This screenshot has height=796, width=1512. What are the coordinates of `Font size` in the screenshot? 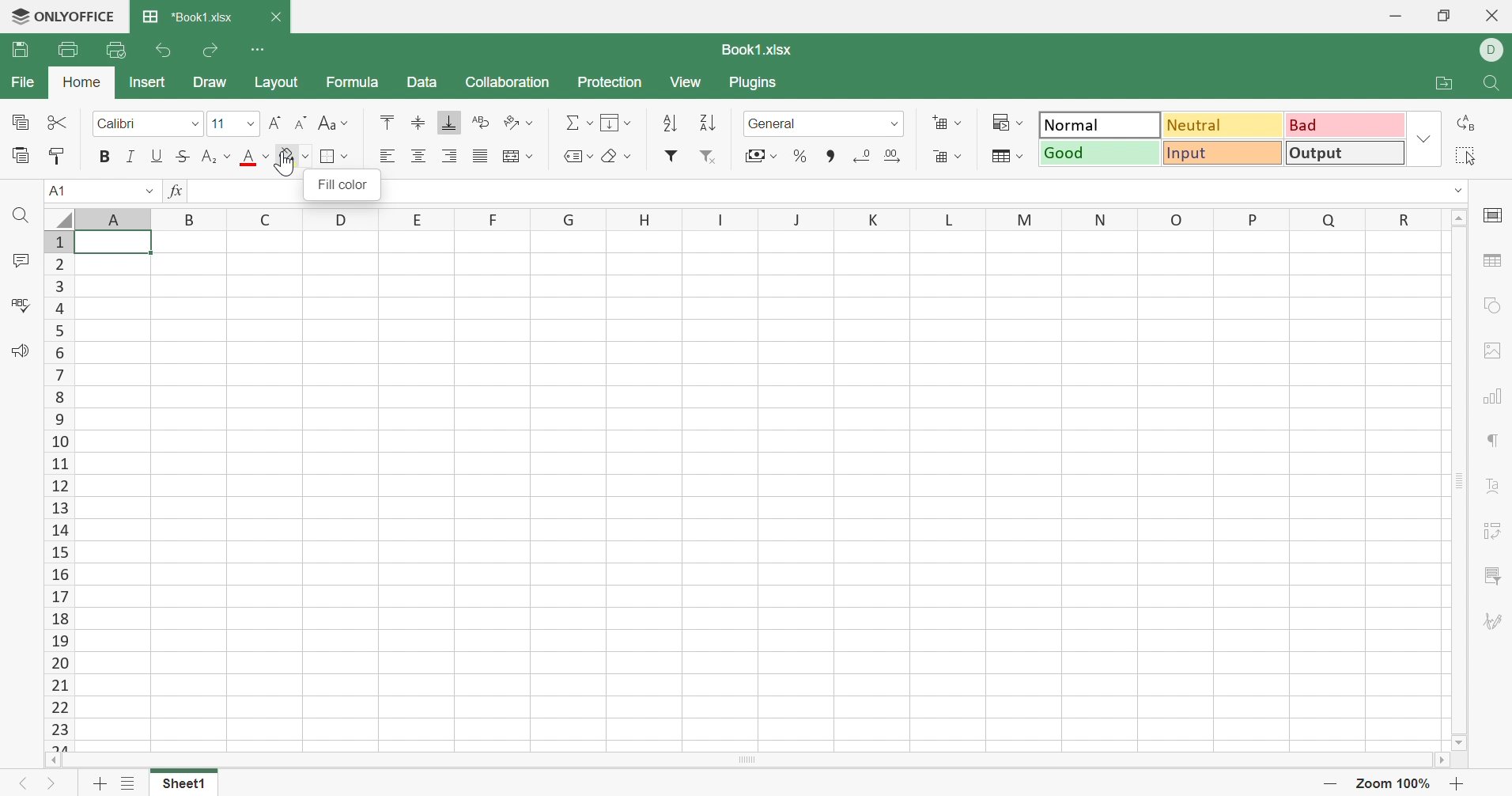 It's located at (232, 121).